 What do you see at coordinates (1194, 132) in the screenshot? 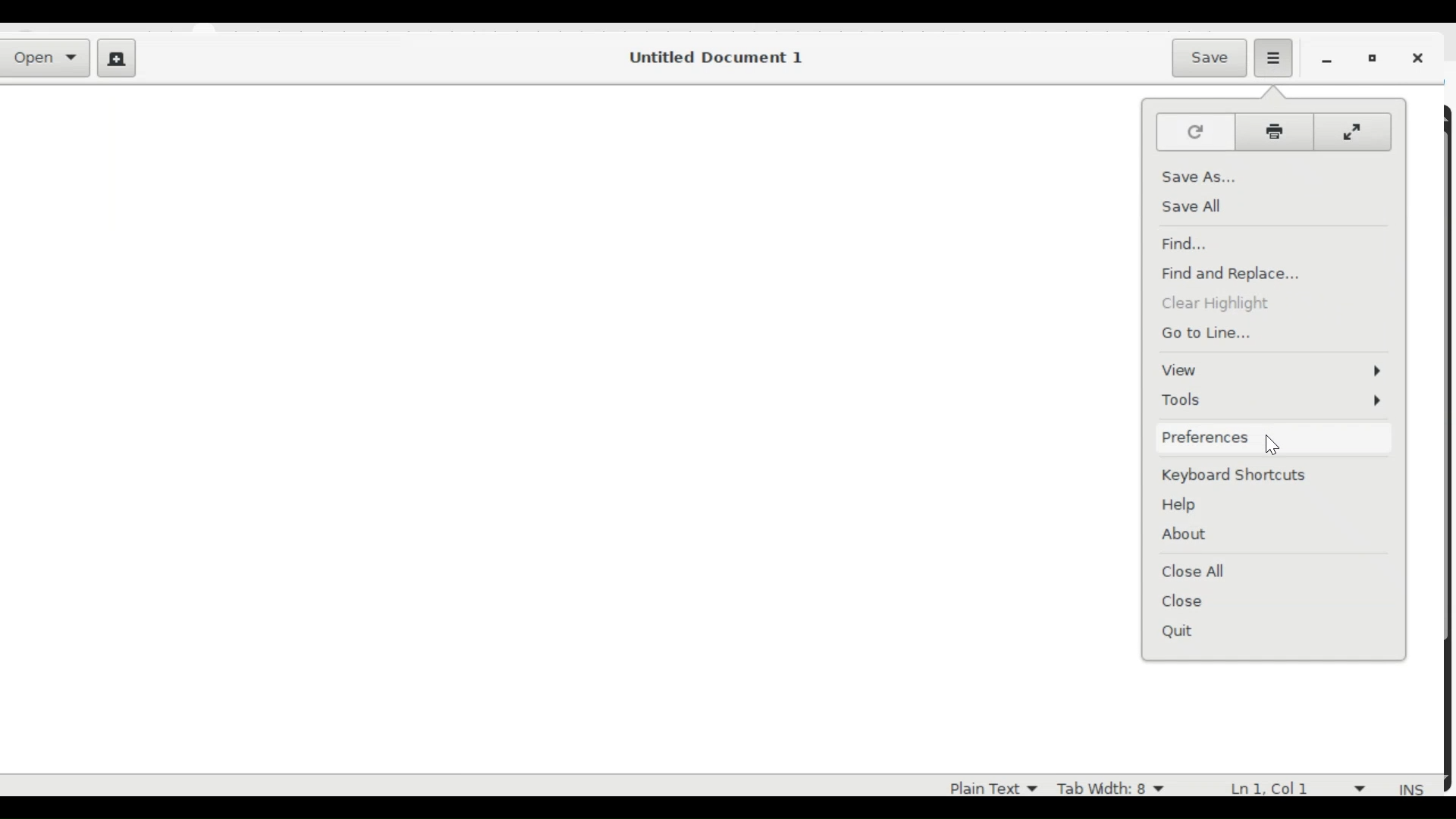
I see `refresh the current document` at bounding box center [1194, 132].